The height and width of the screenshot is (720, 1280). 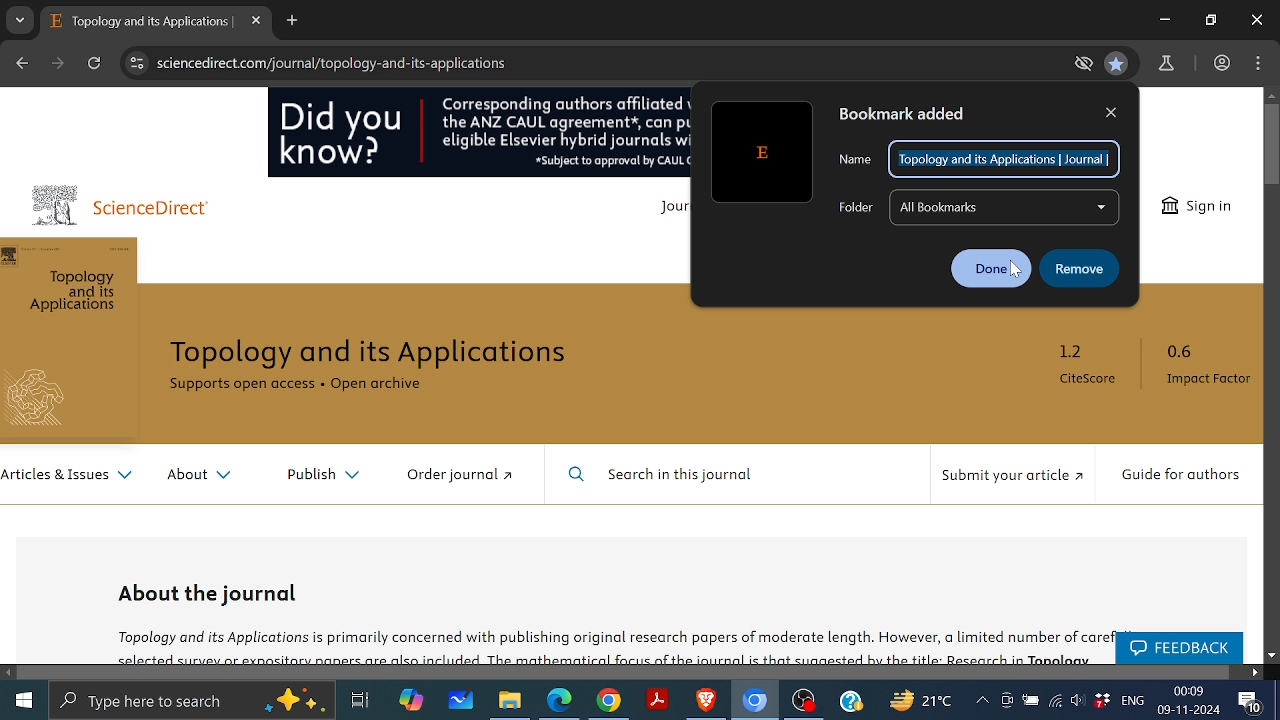 What do you see at coordinates (981, 700) in the screenshot?
I see `Show Hidden Icon` at bounding box center [981, 700].